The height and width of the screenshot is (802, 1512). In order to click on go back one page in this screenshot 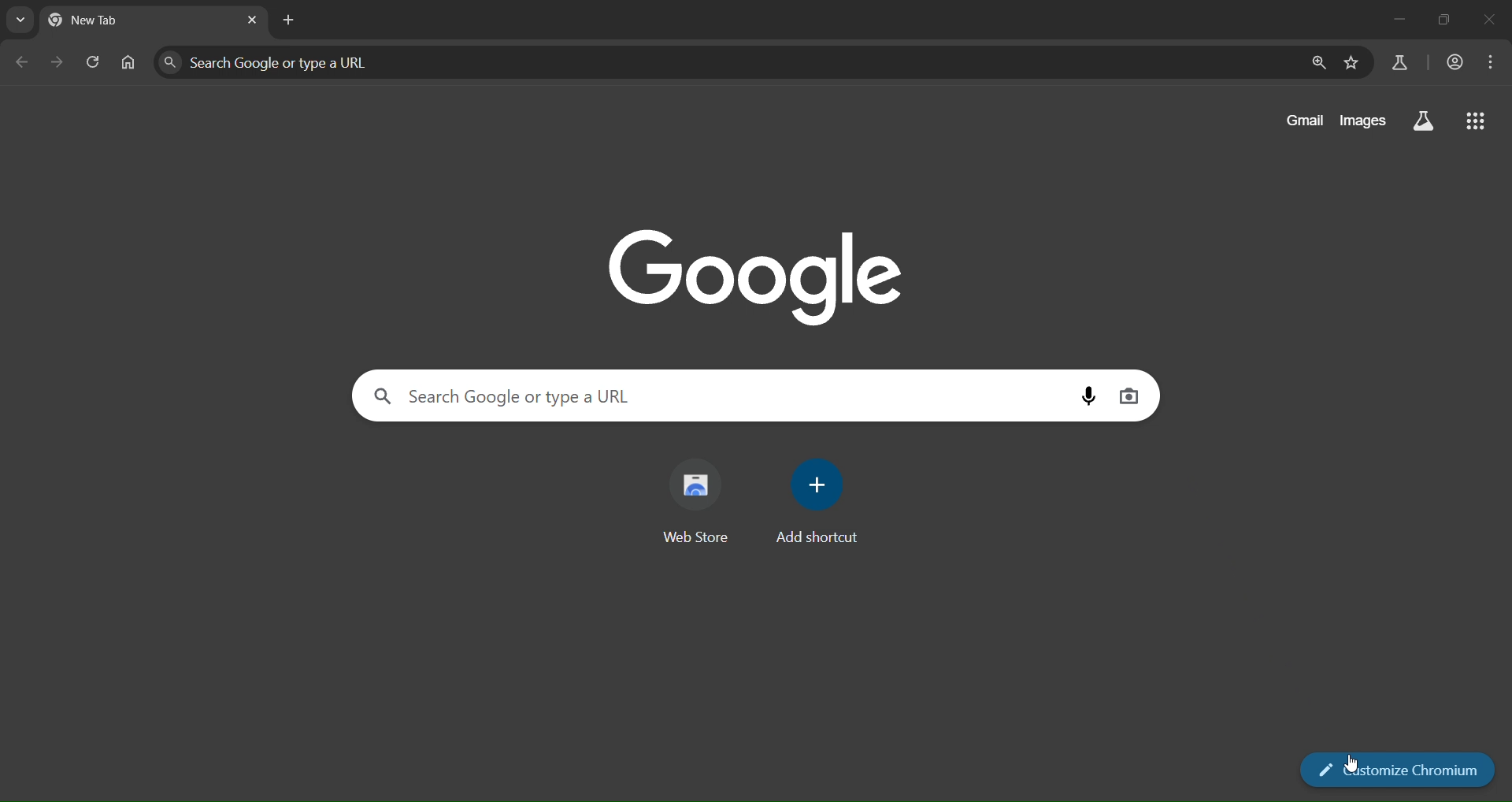, I will do `click(20, 64)`.